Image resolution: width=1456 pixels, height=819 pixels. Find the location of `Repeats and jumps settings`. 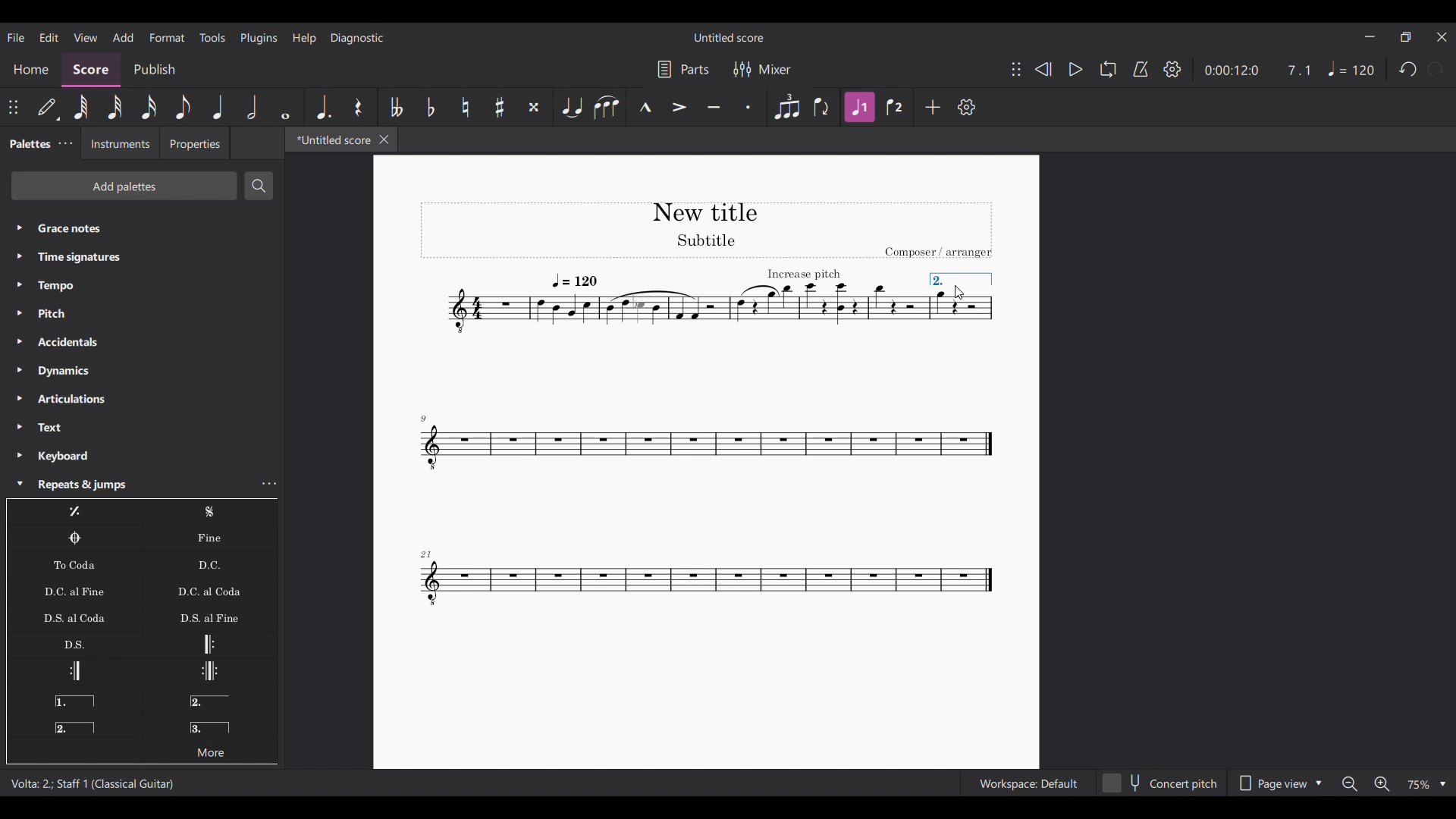

Repeats and jumps settings is located at coordinates (270, 483).